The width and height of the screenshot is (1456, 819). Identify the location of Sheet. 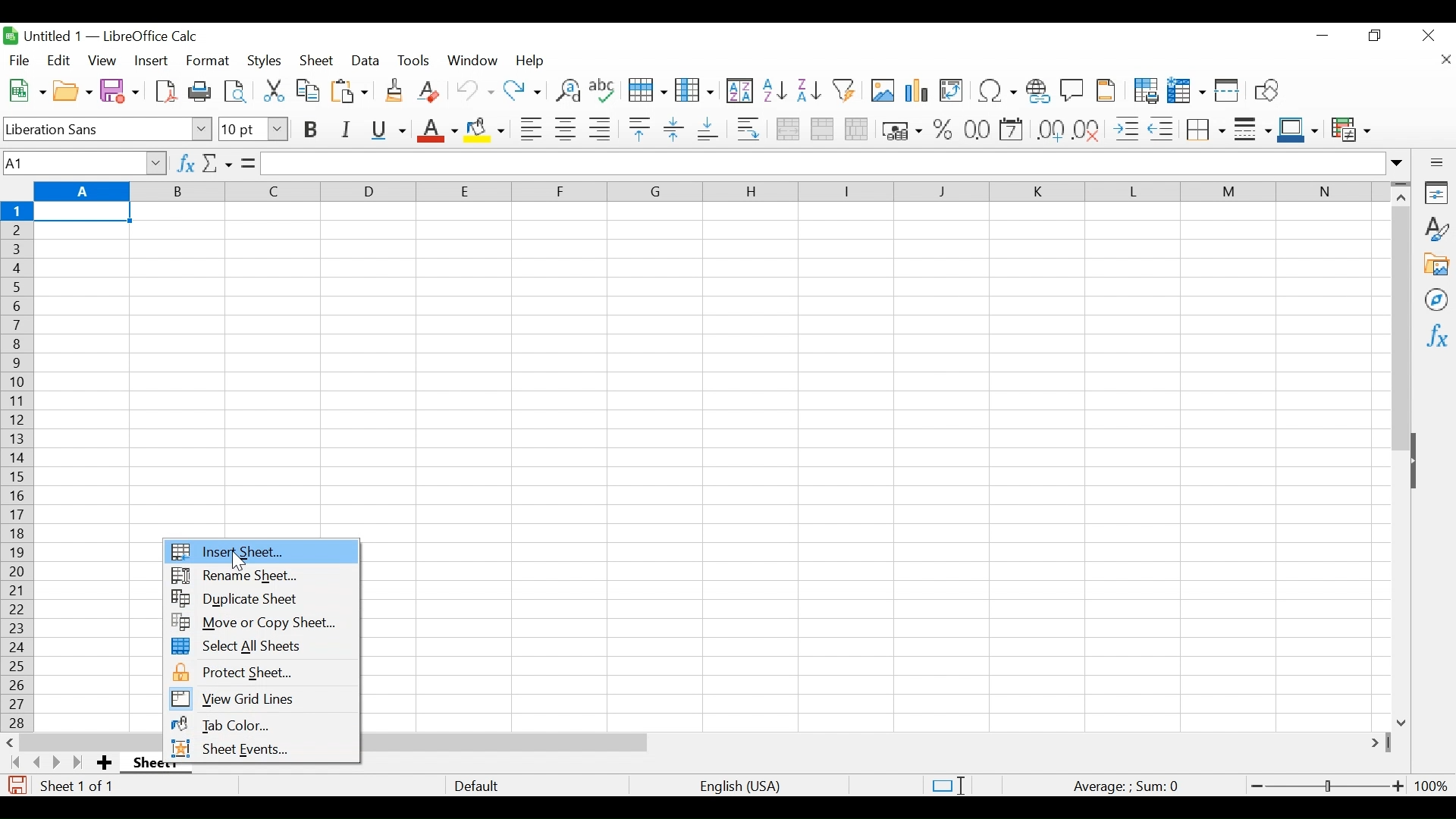
(318, 61).